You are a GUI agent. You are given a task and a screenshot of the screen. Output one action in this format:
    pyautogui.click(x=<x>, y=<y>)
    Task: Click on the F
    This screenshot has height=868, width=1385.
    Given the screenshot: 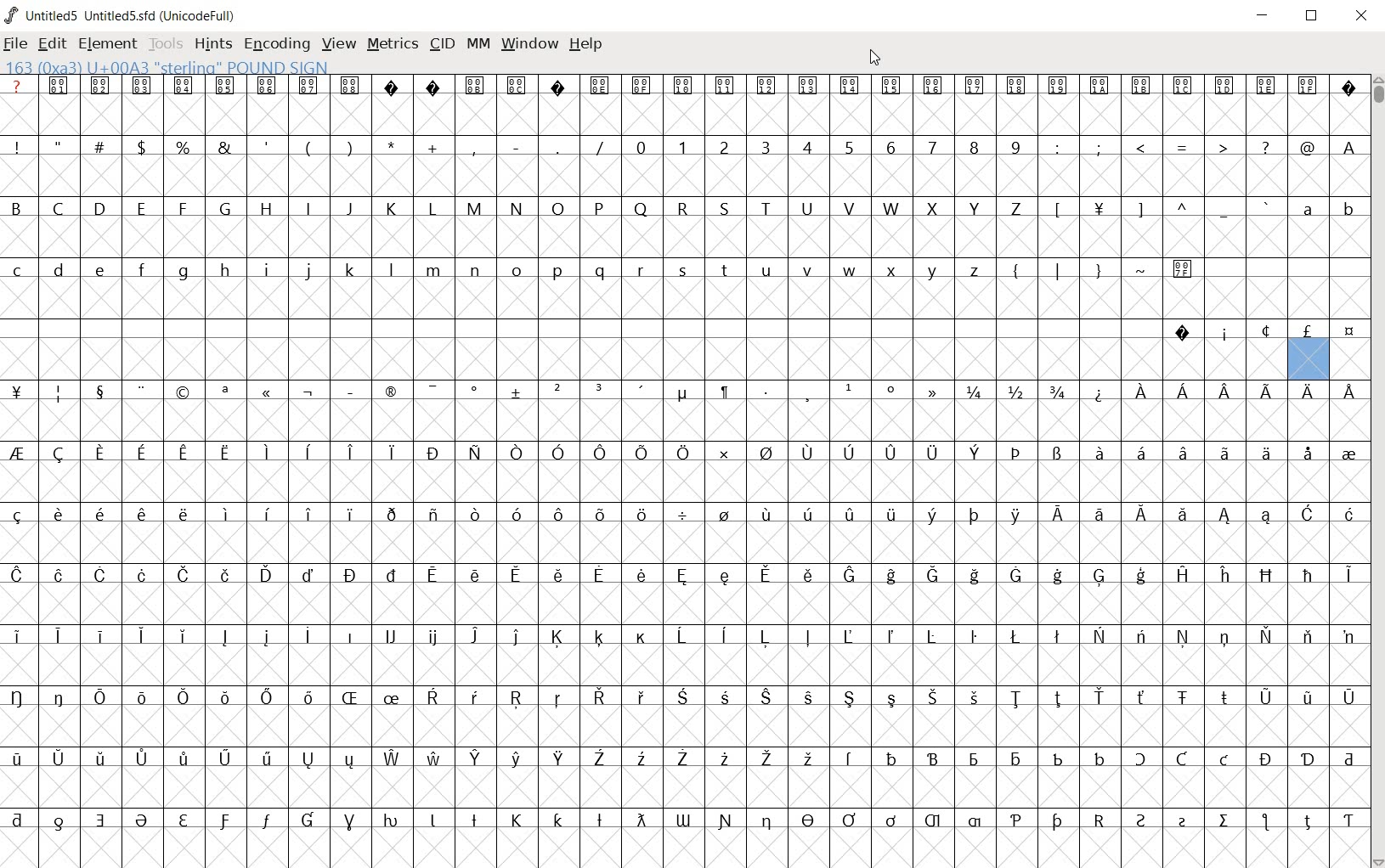 What is the action you would take?
    pyautogui.click(x=182, y=209)
    